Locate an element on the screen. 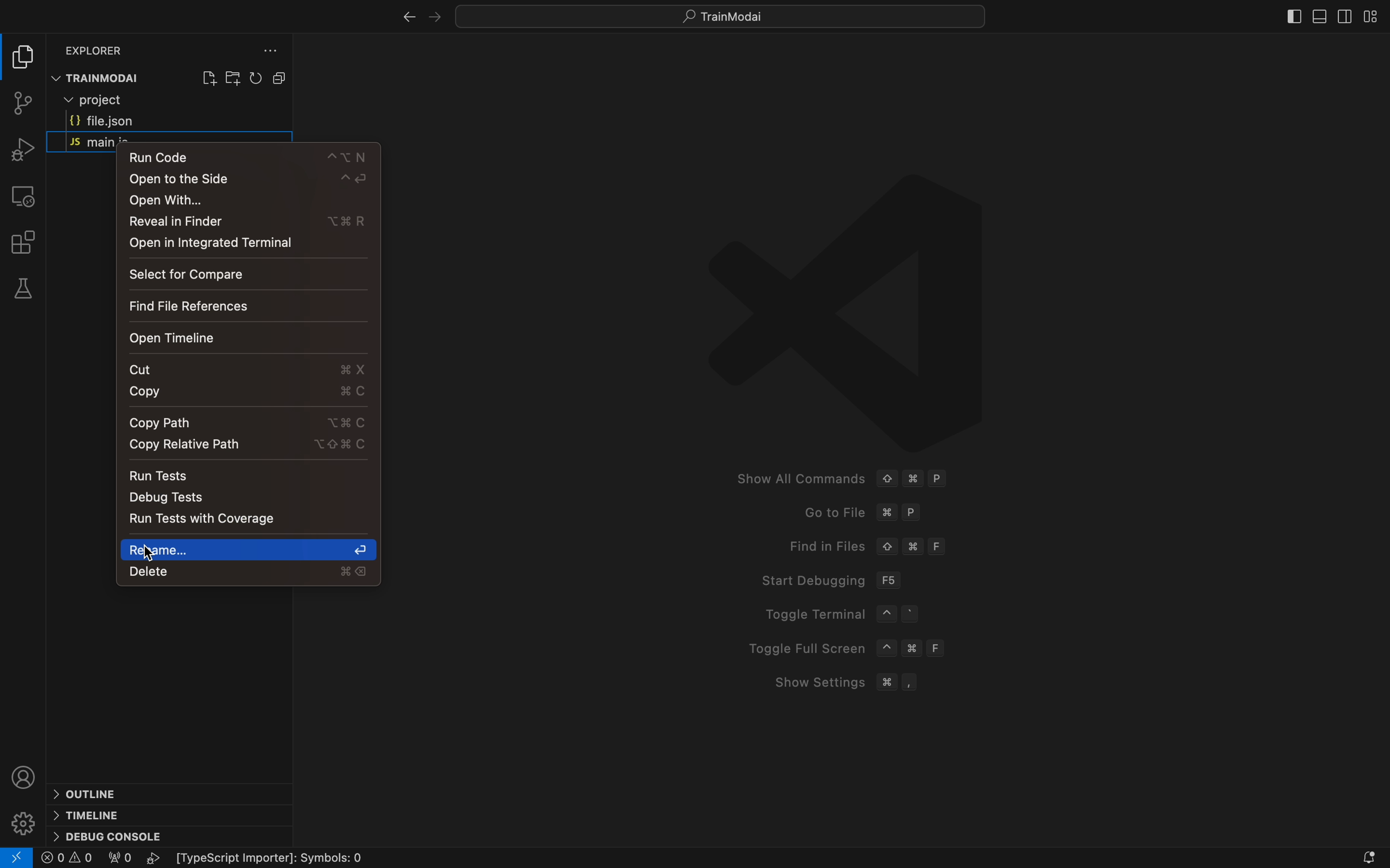 This screenshot has width=1390, height=868. right arrow is located at coordinates (406, 17).